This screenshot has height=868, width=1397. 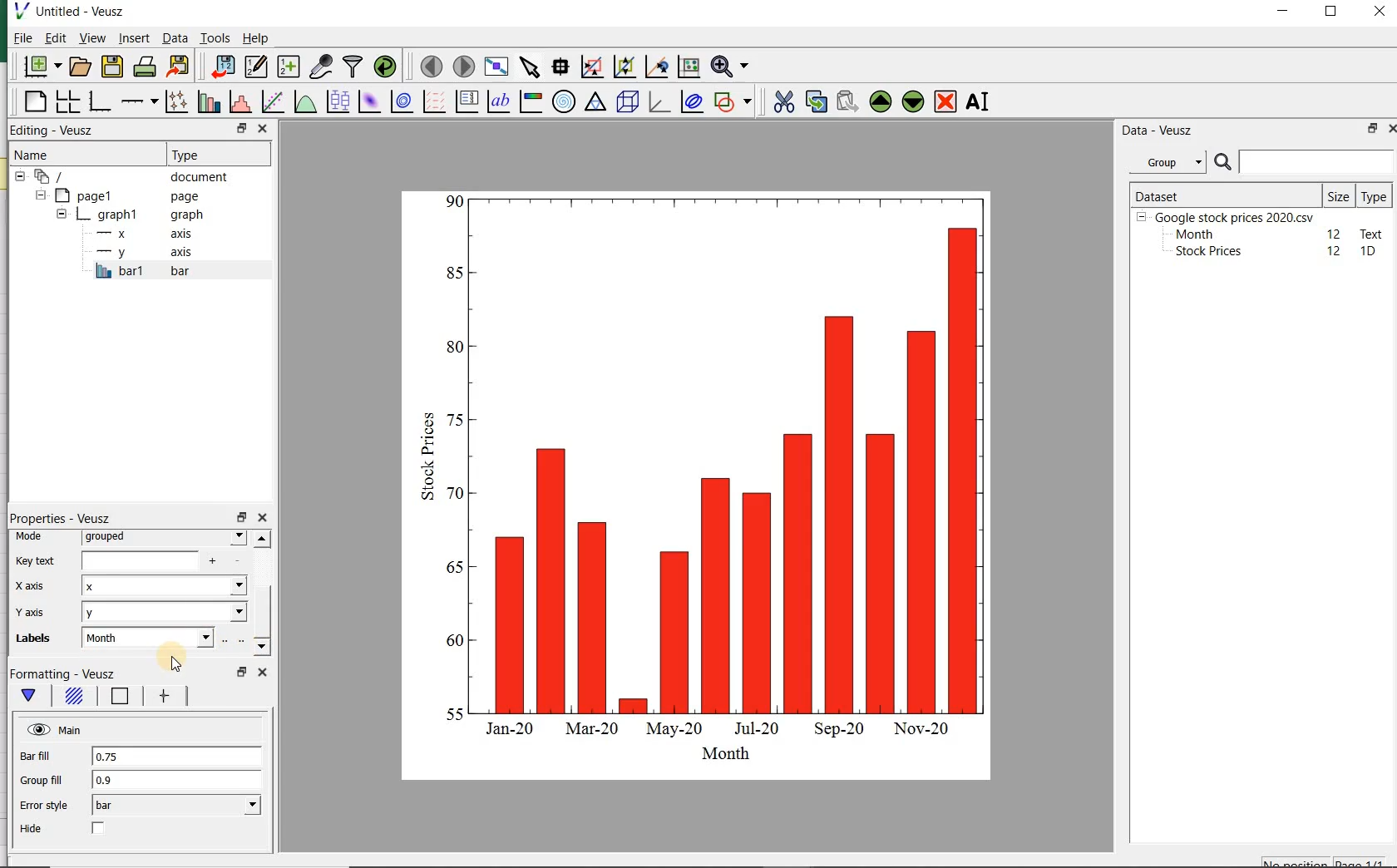 What do you see at coordinates (623, 65) in the screenshot?
I see `click to zoom out of graph axes` at bounding box center [623, 65].